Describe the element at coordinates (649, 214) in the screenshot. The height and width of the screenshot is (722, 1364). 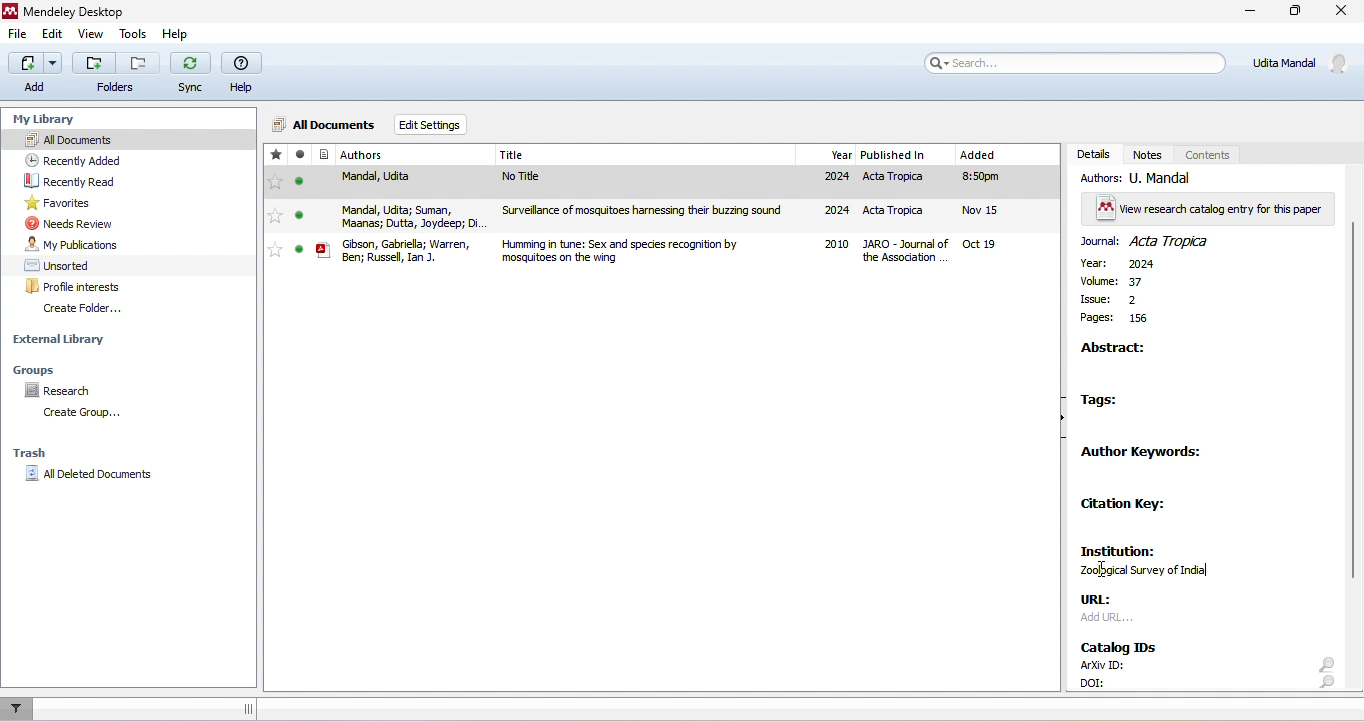
I see `surveillance of mosquitoes harnessing their buzzing sound` at that location.